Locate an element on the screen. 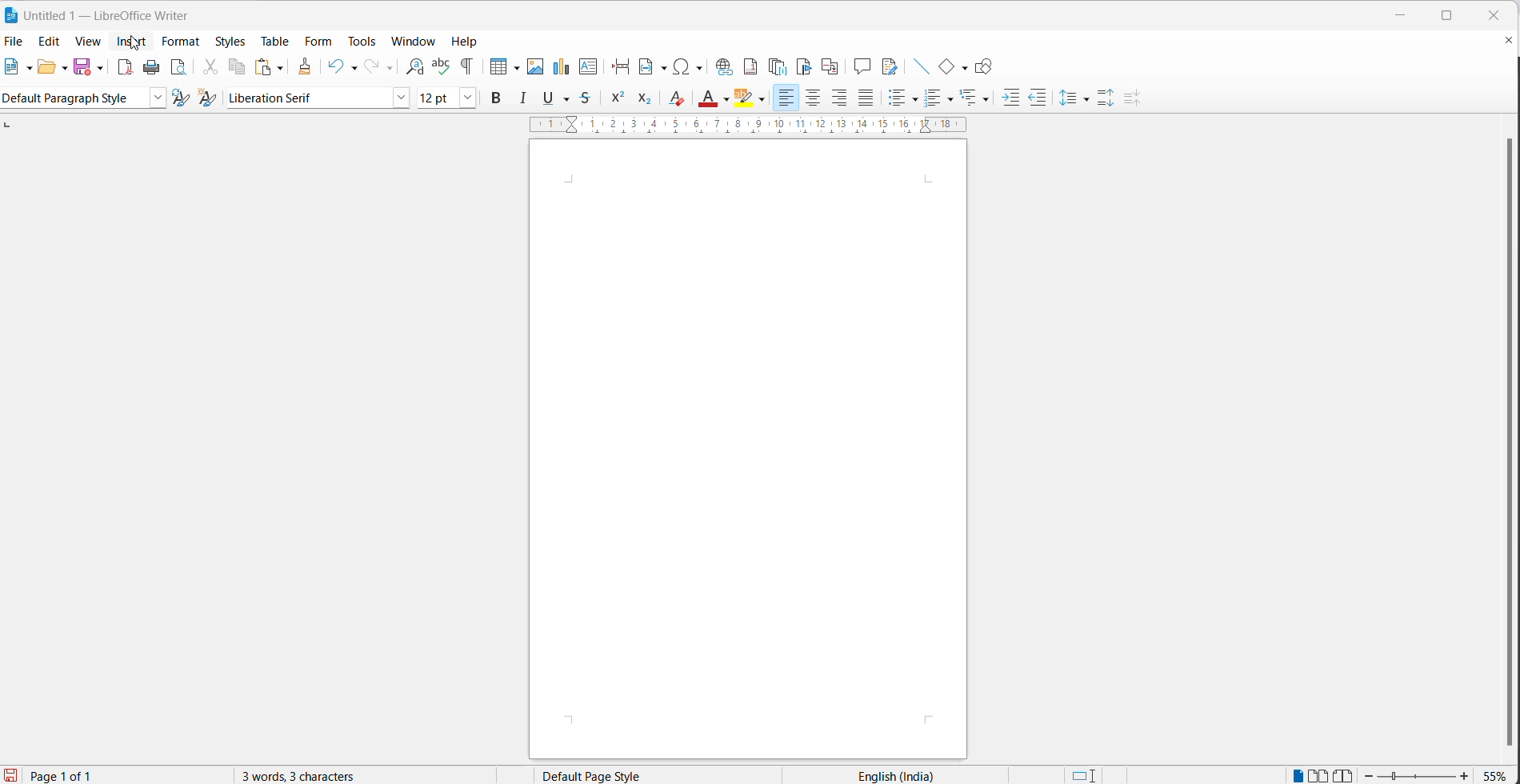  window is located at coordinates (414, 42).